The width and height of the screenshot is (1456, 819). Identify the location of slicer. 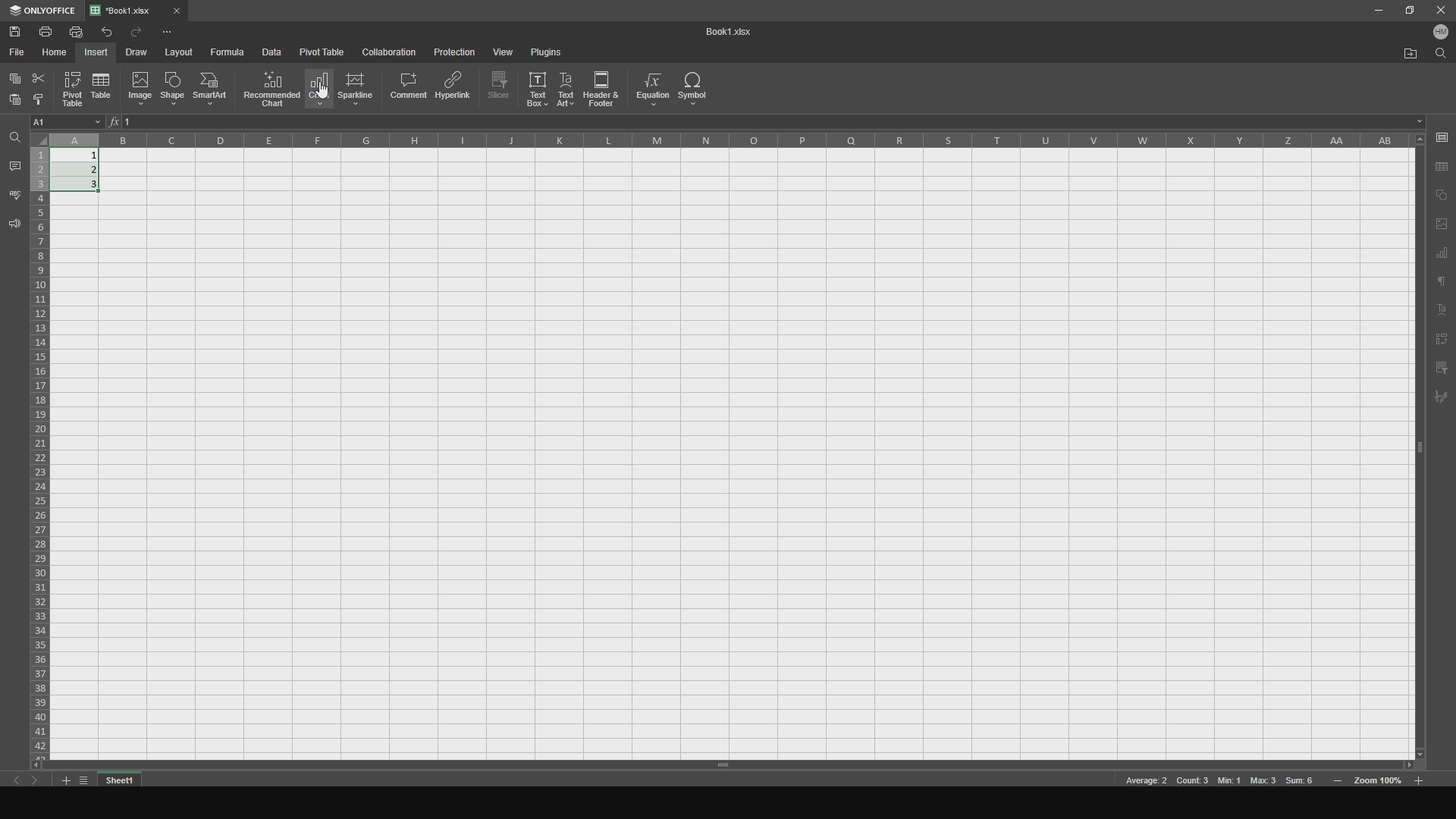
(499, 88).